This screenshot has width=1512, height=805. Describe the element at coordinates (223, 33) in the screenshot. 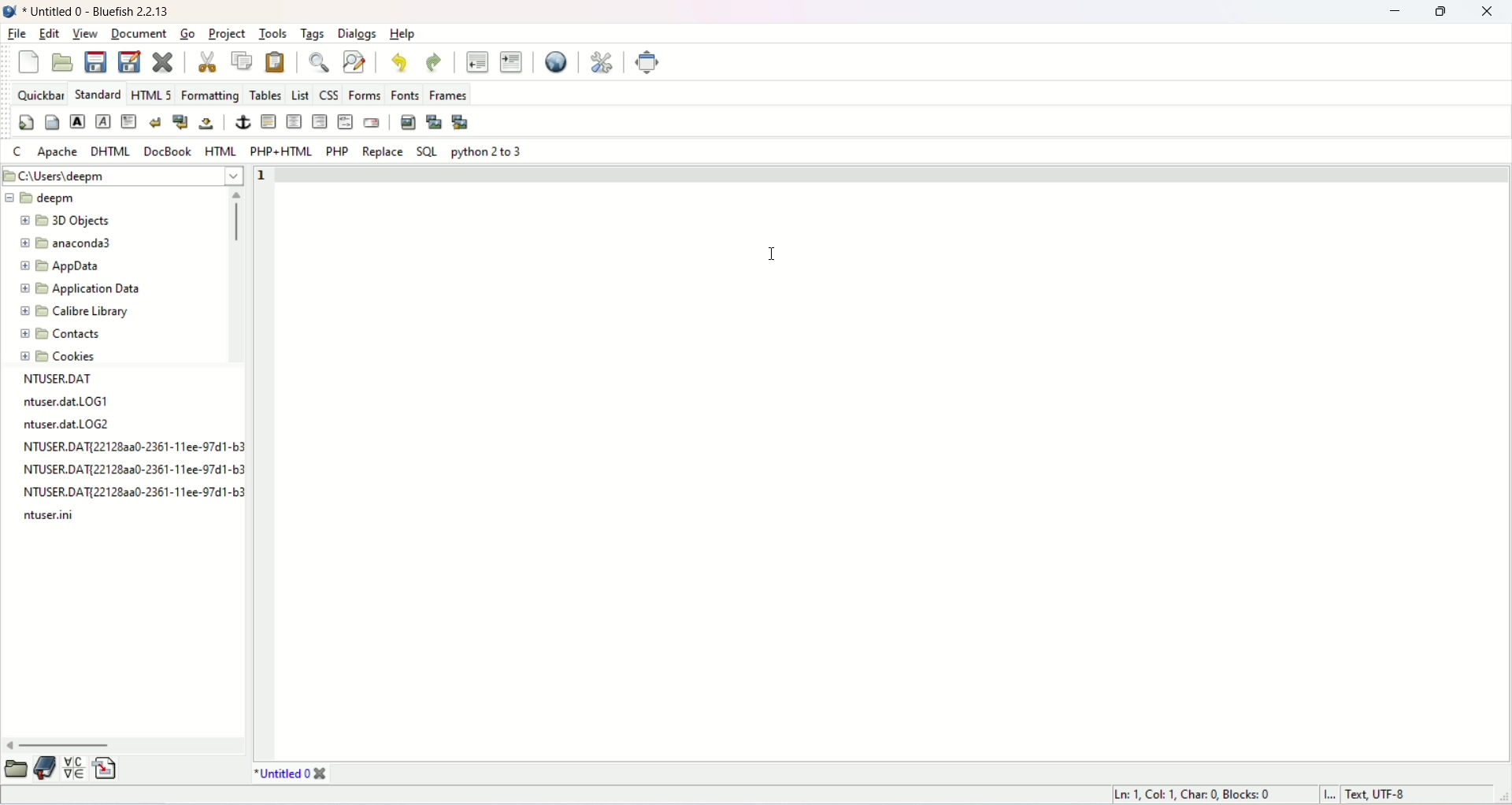

I see `project` at that location.